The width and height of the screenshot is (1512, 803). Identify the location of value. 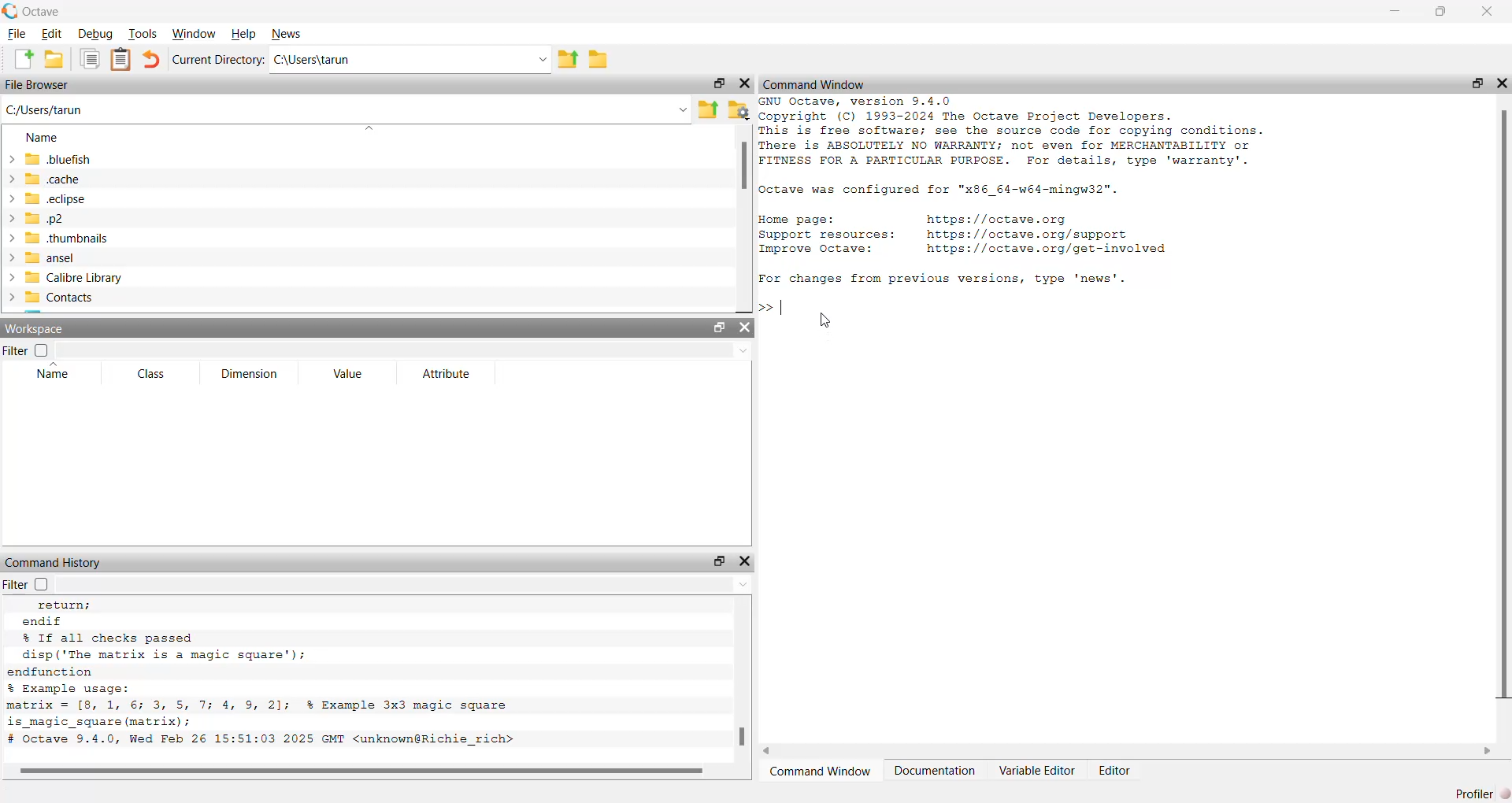
(350, 374).